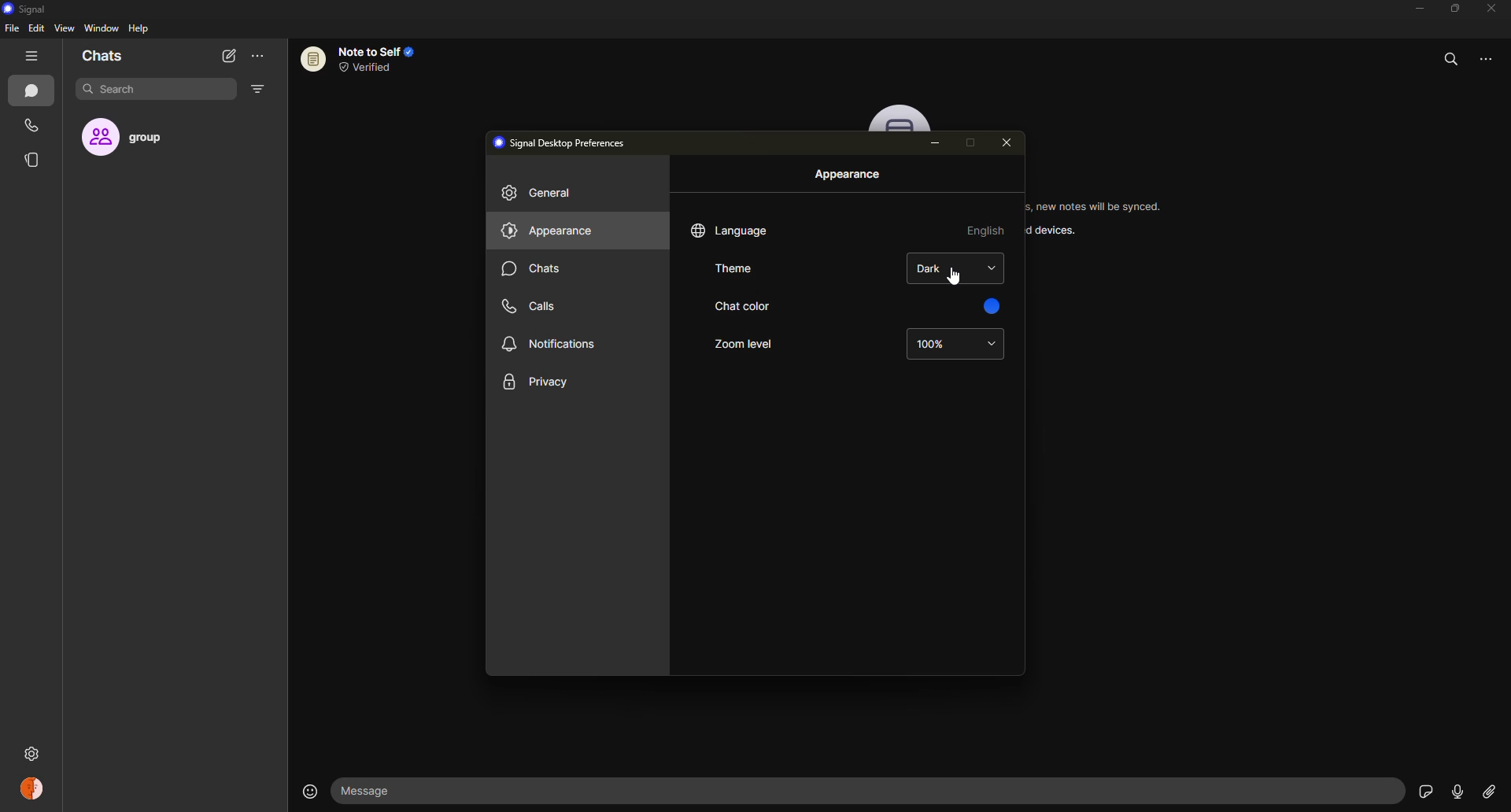  Describe the element at coordinates (305, 789) in the screenshot. I see `emoji` at that location.